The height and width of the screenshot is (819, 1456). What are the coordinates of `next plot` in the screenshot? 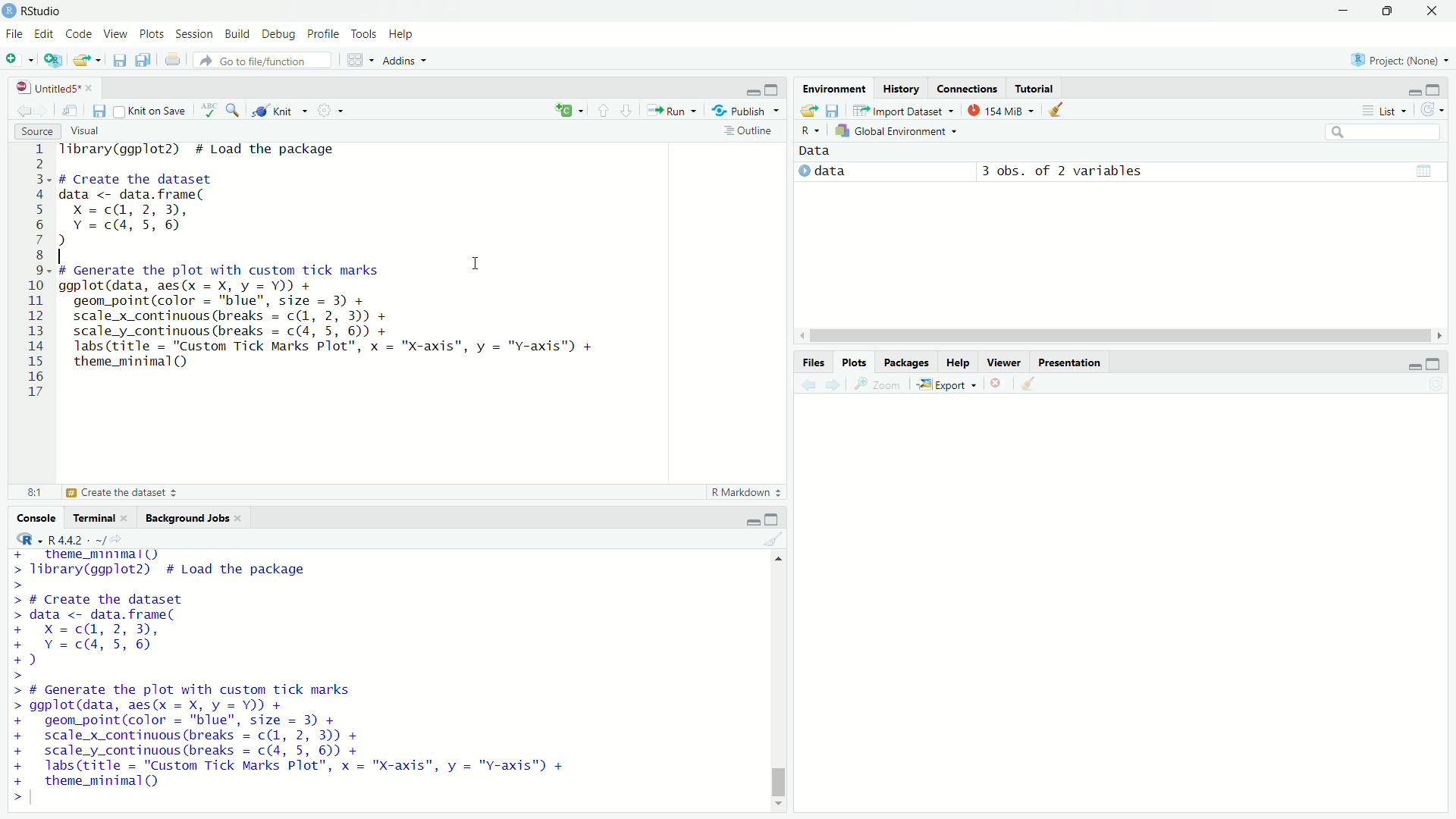 It's located at (834, 383).